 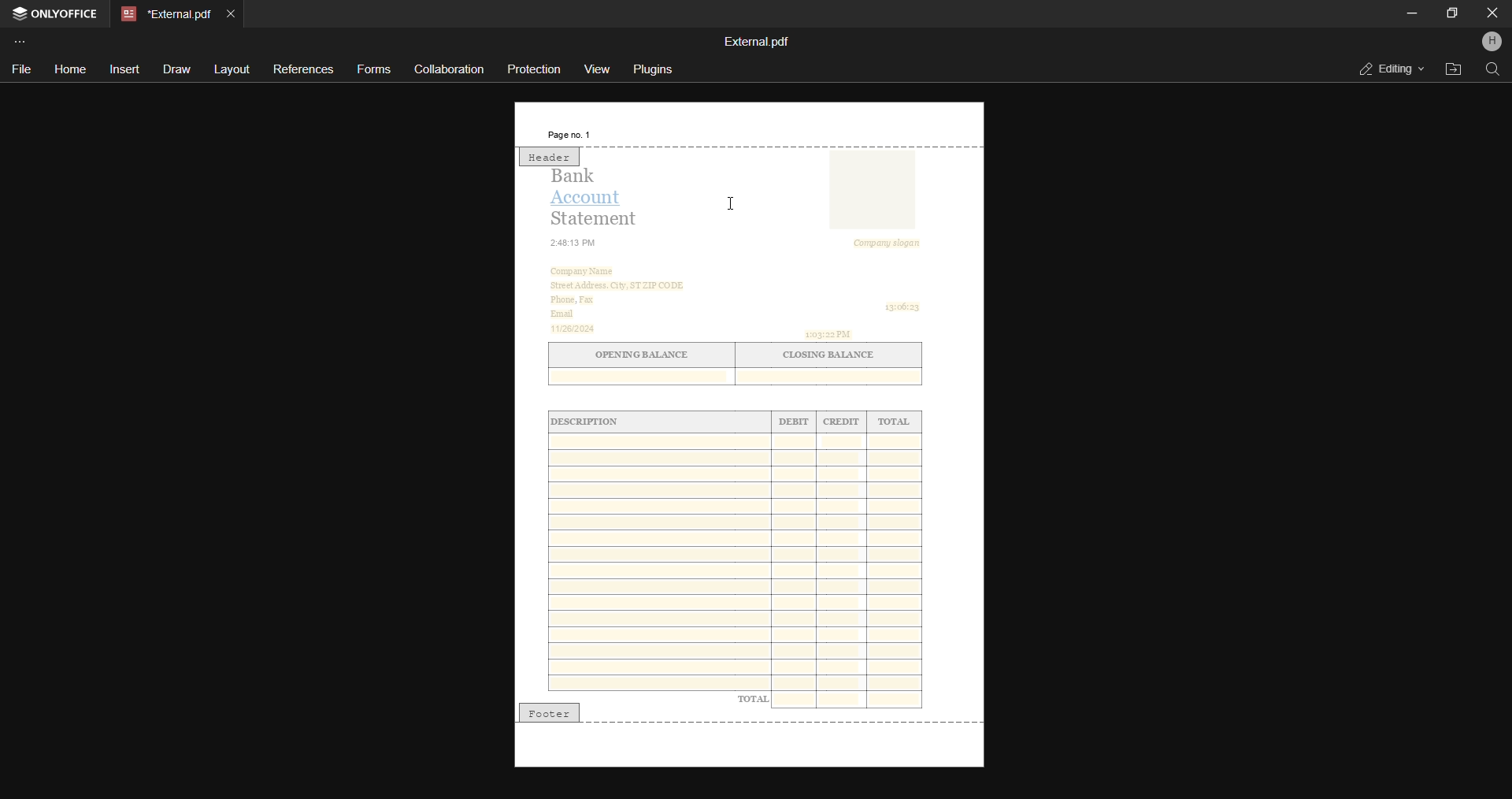 What do you see at coordinates (57, 15) in the screenshot?
I see `OnlyOffice application tab` at bounding box center [57, 15].